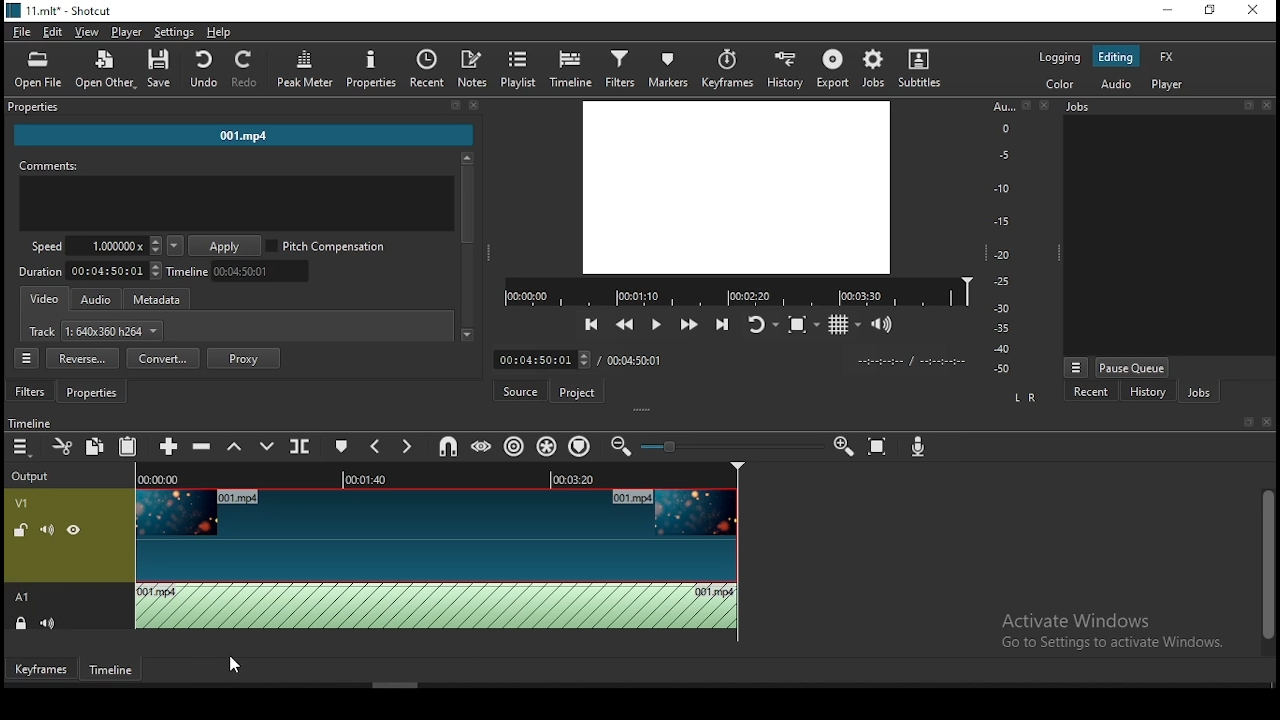 The width and height of the screenshot is (1280, 720). What do you see at coordinates (171, 446) in the screenshot?
I see `append` at bounding box center [171, 446].